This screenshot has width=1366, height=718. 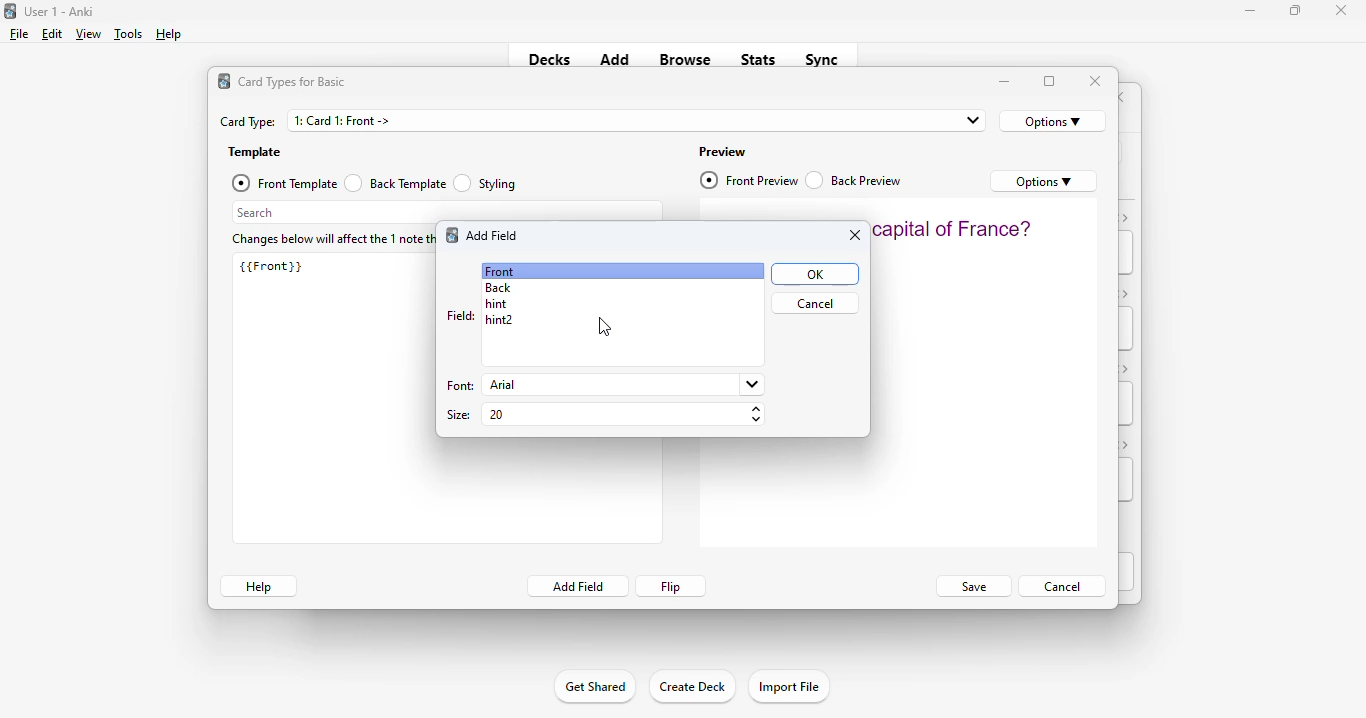 I want to click on options, so click(x=1044, y=181).